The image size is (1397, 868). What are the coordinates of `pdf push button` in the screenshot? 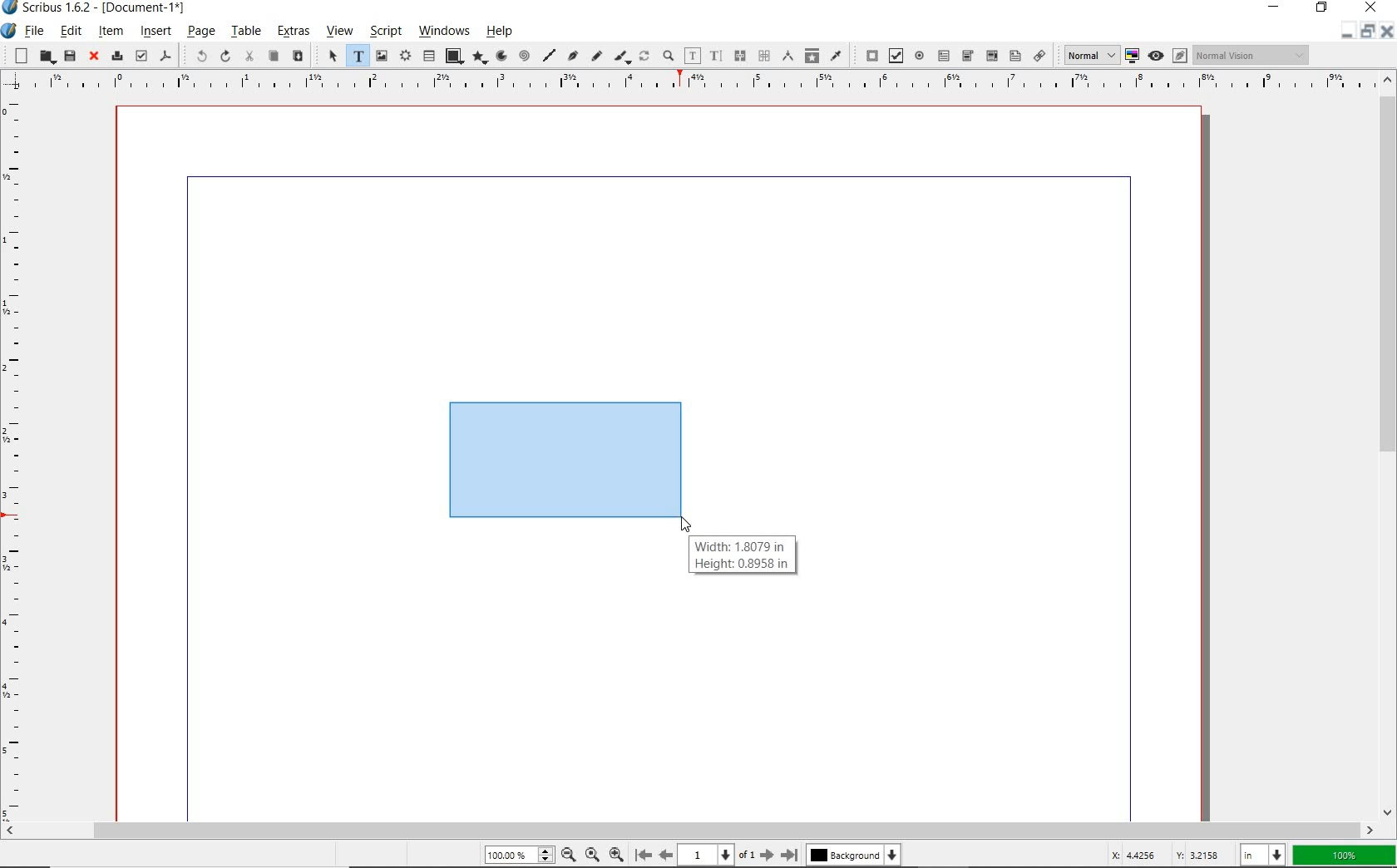 It's located at (867, 55).